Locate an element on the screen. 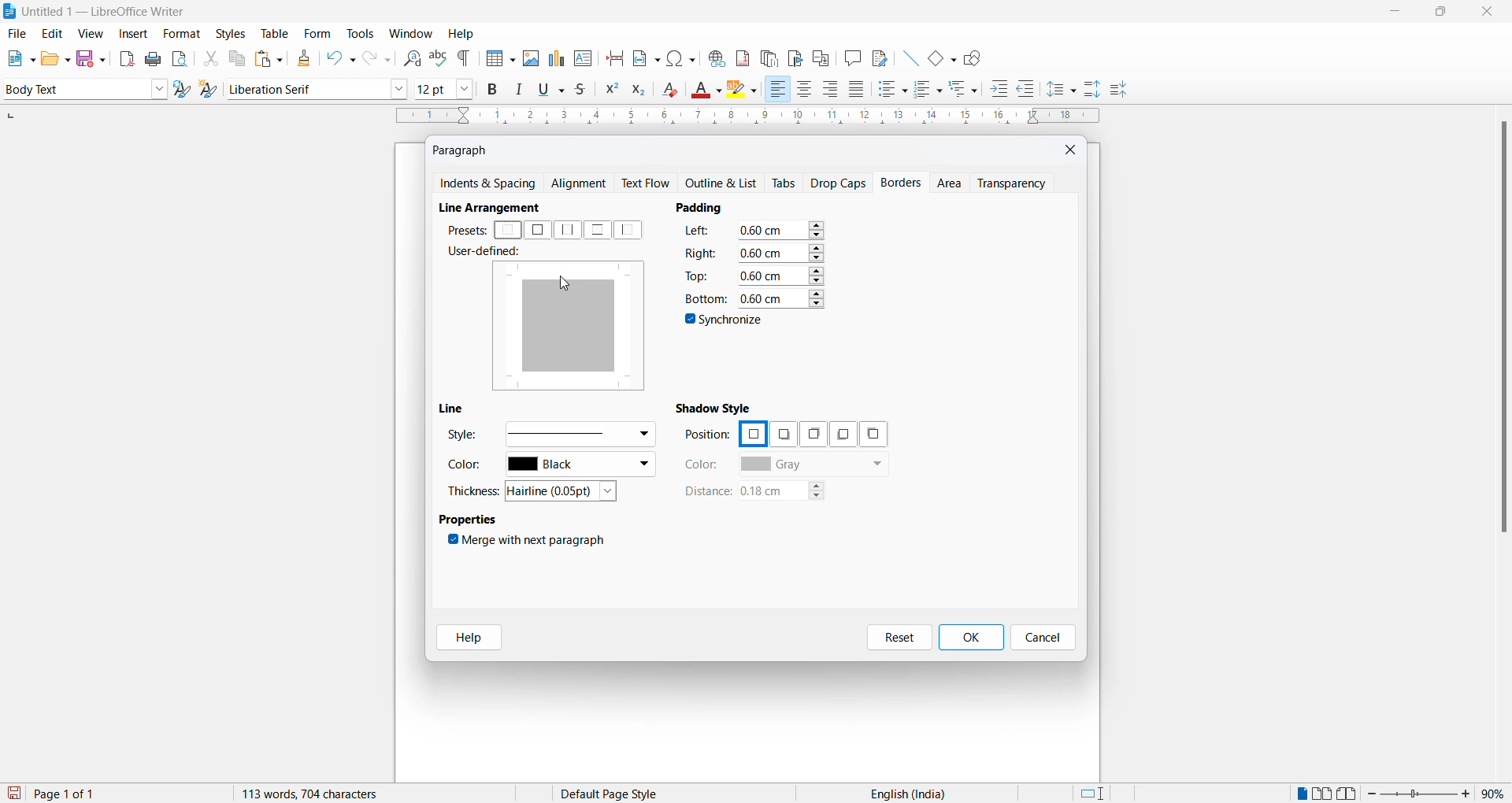  shadow style is located at coordinates (717, 407).